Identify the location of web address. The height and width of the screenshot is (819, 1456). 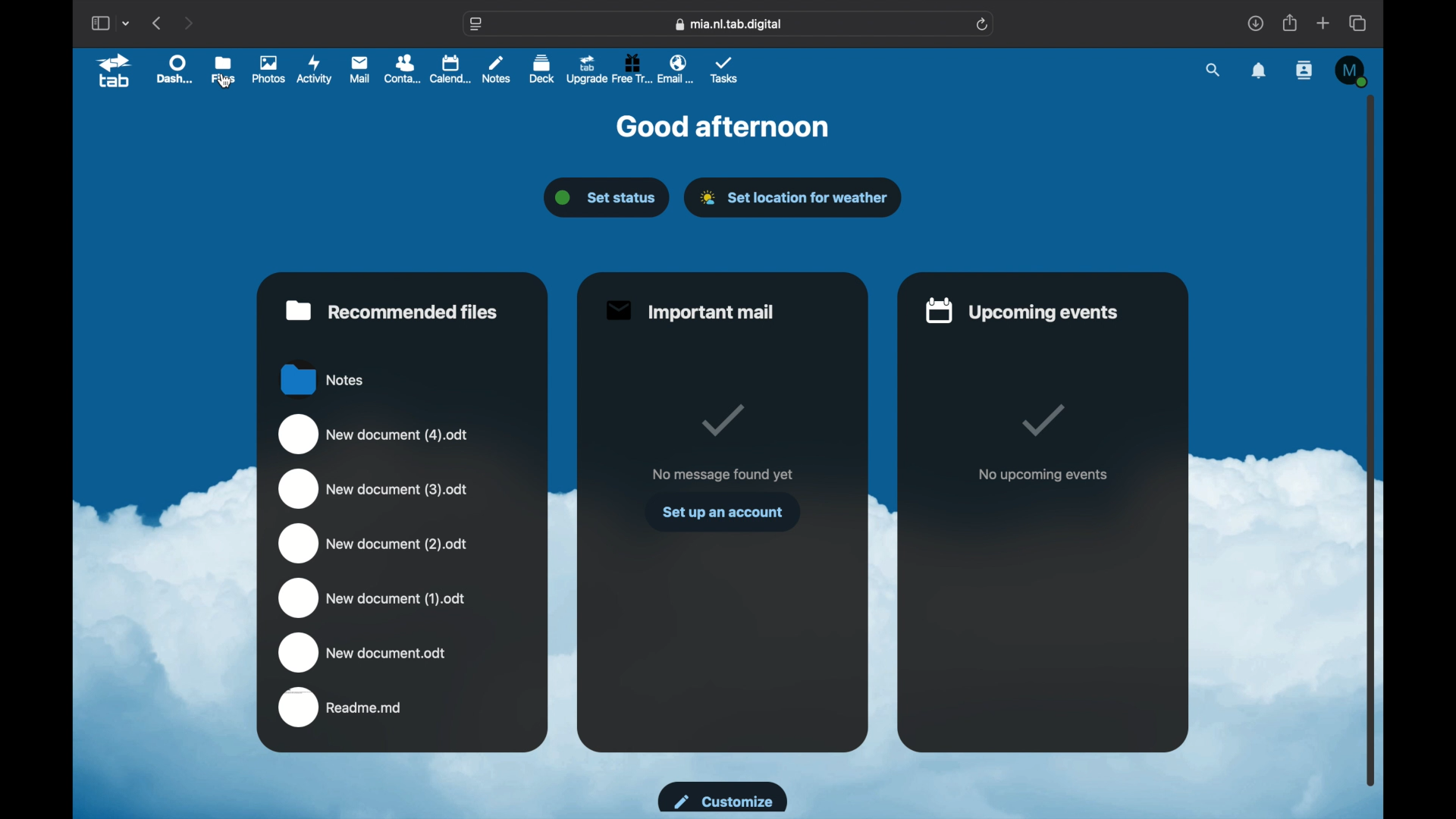
(729, 24).